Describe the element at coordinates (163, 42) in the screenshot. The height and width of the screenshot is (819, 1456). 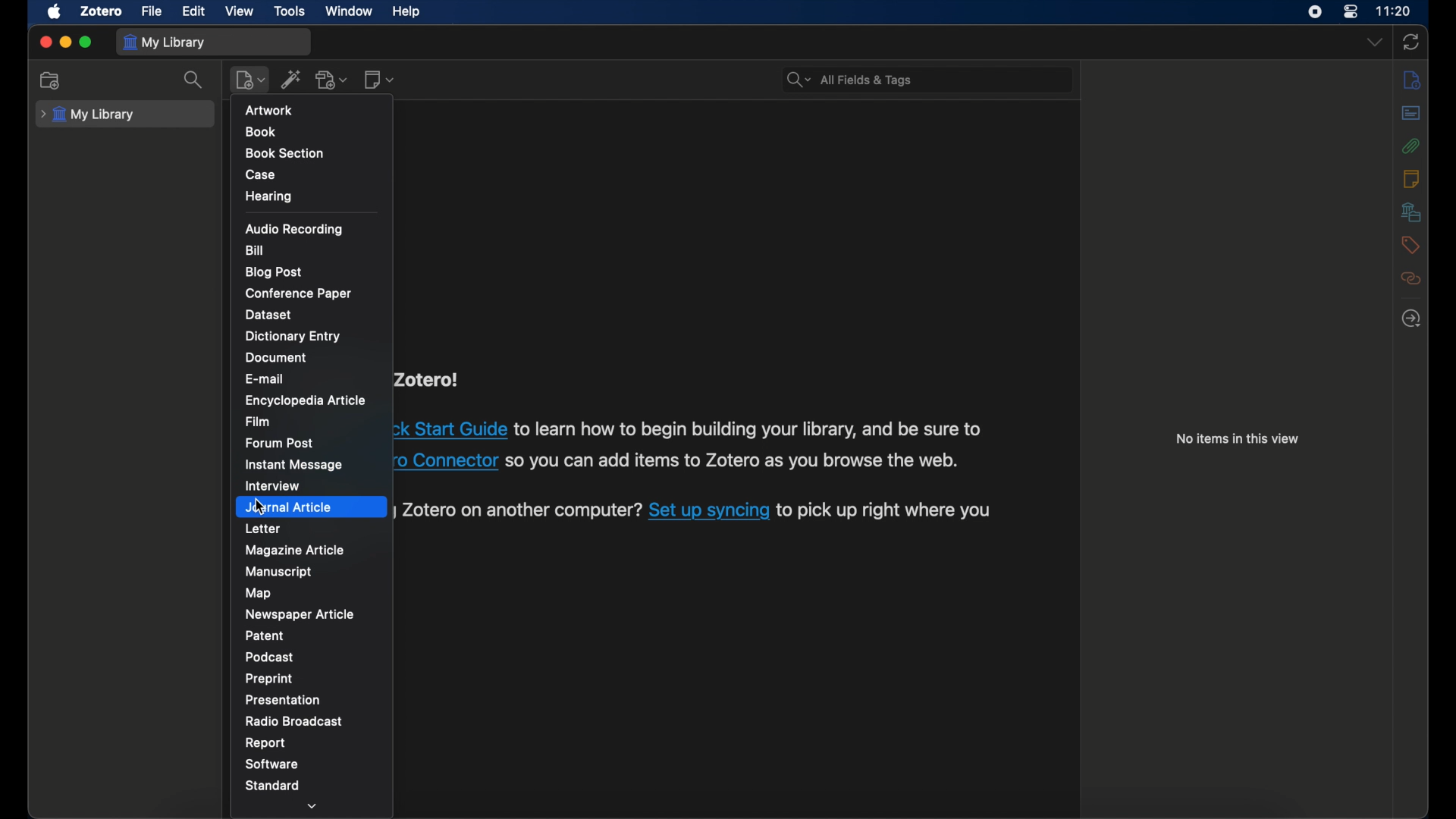
I see `my library` at that location.